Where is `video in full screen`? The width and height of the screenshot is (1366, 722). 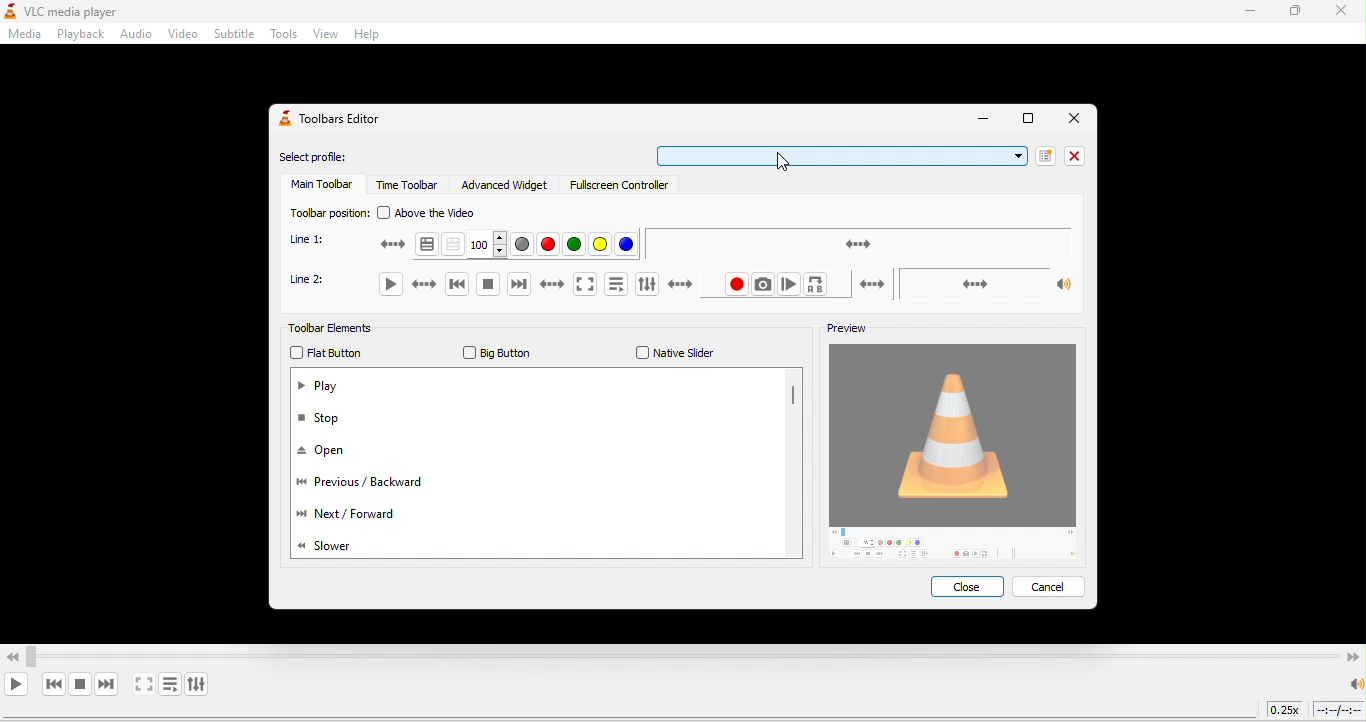
video in full screen is located at coordinates (590, 285).